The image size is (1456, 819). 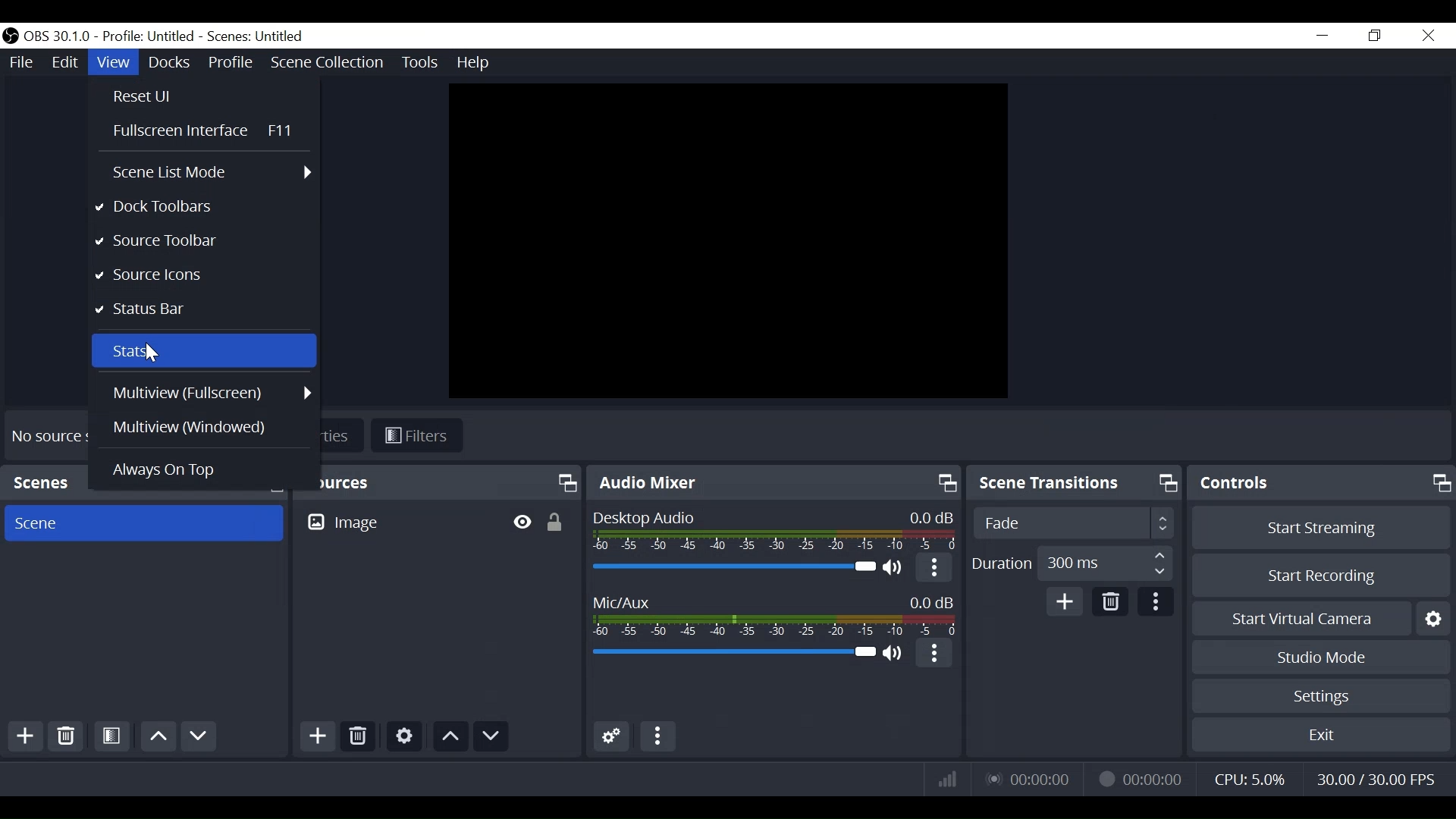 I want to click on Start Virtual Camera, so click(x=1319, y=621).